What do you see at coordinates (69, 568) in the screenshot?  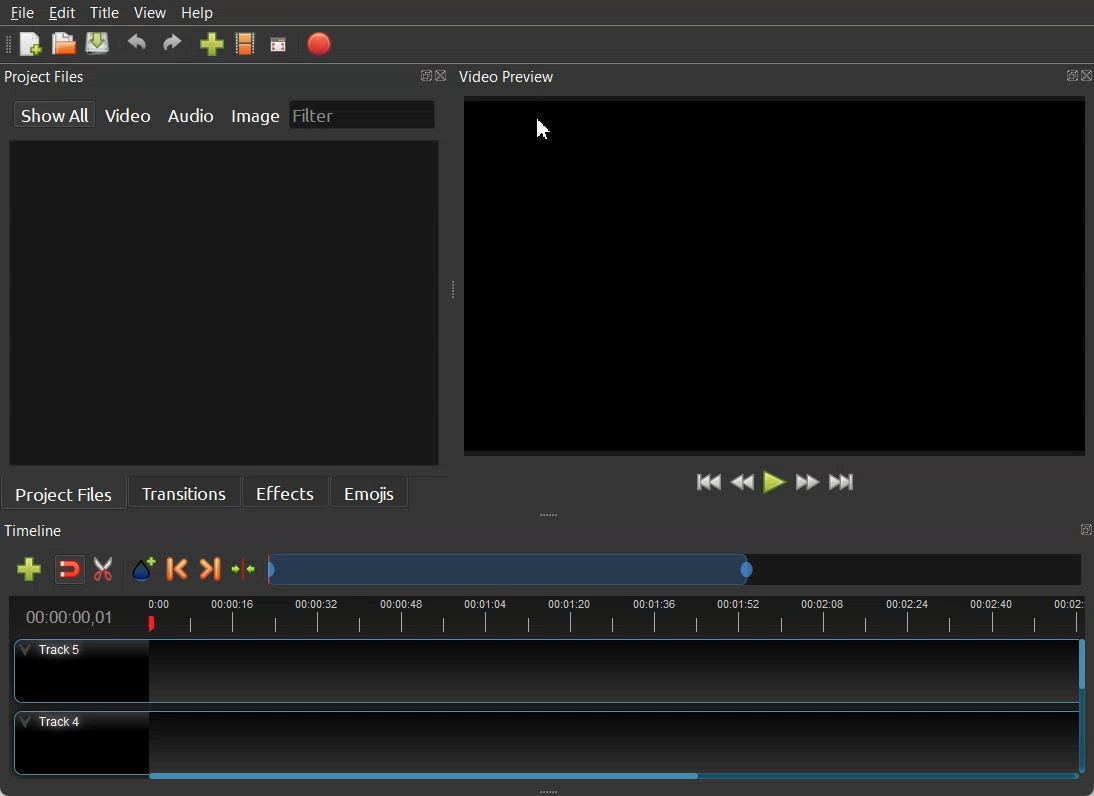 I see `Disable Snapping` at bounding box center [69, 568].